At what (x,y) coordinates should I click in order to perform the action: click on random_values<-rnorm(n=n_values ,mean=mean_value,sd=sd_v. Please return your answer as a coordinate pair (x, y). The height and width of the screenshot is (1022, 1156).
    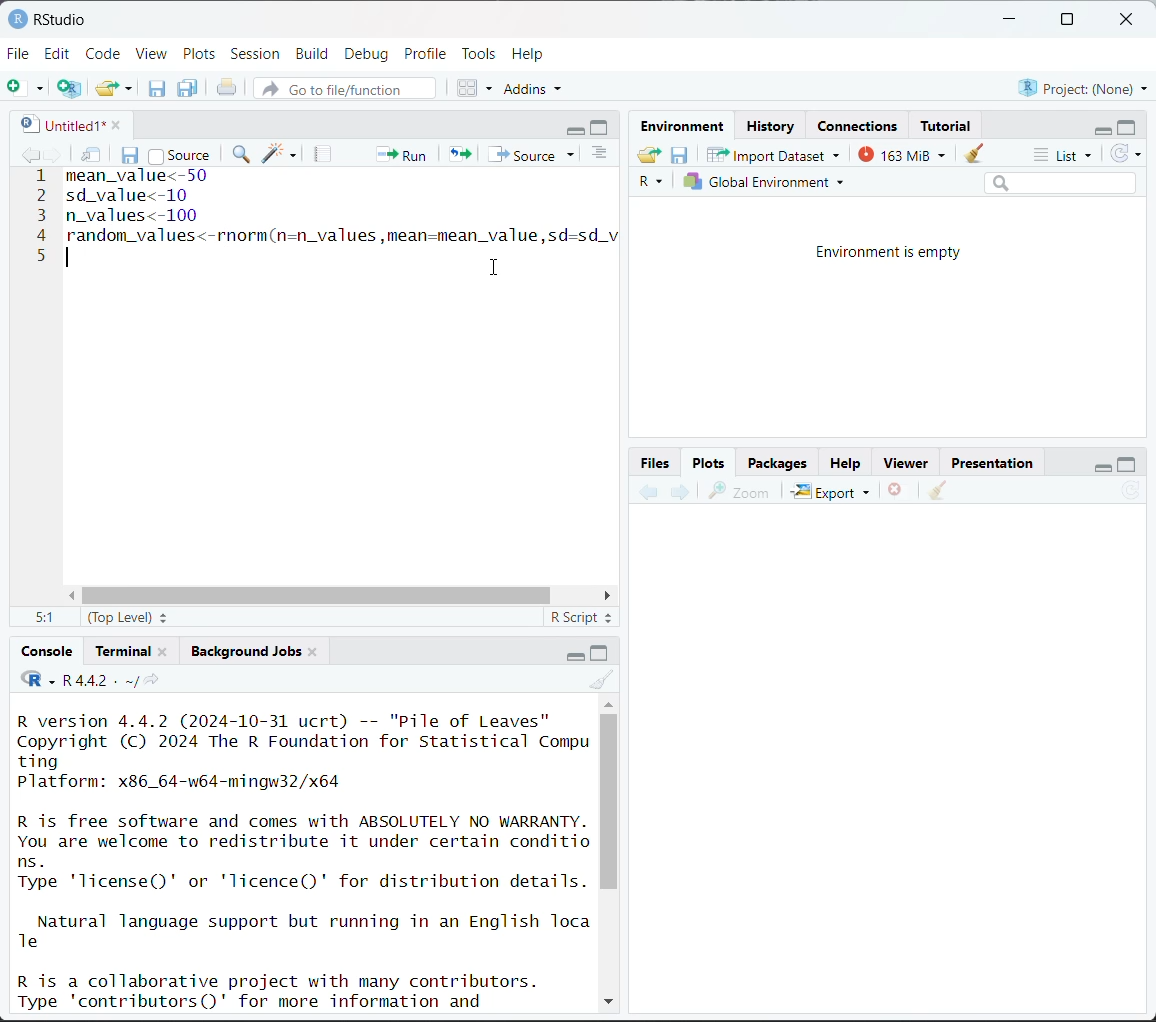
    Looking at the image, I should click on (340, 235).